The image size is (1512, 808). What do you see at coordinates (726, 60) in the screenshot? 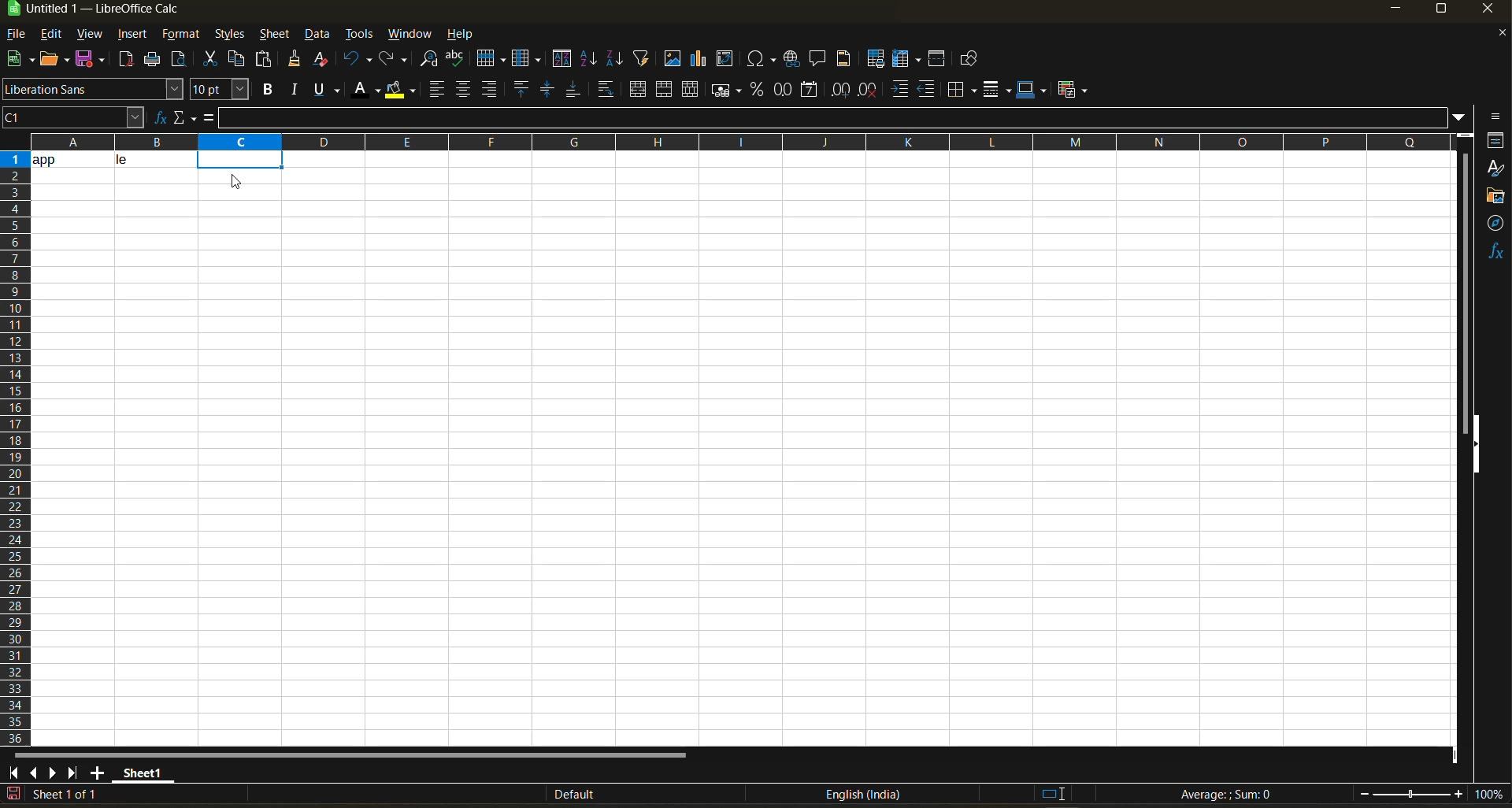
I see `insert or edit pivot table` at bounding box center [726, 60].